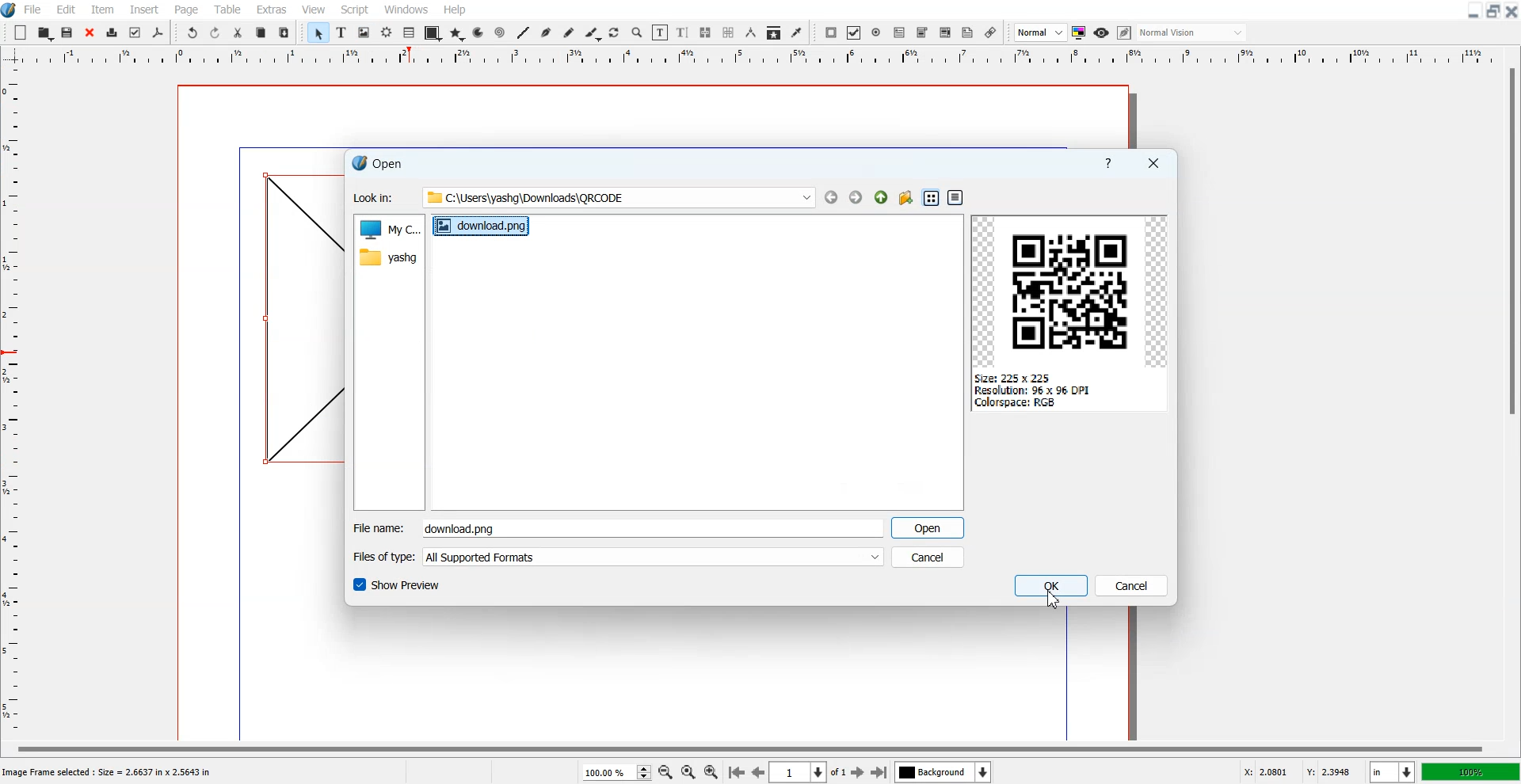  Describe the element at coordinates (21, 32) in the screenshot. I see `Add` at that location.